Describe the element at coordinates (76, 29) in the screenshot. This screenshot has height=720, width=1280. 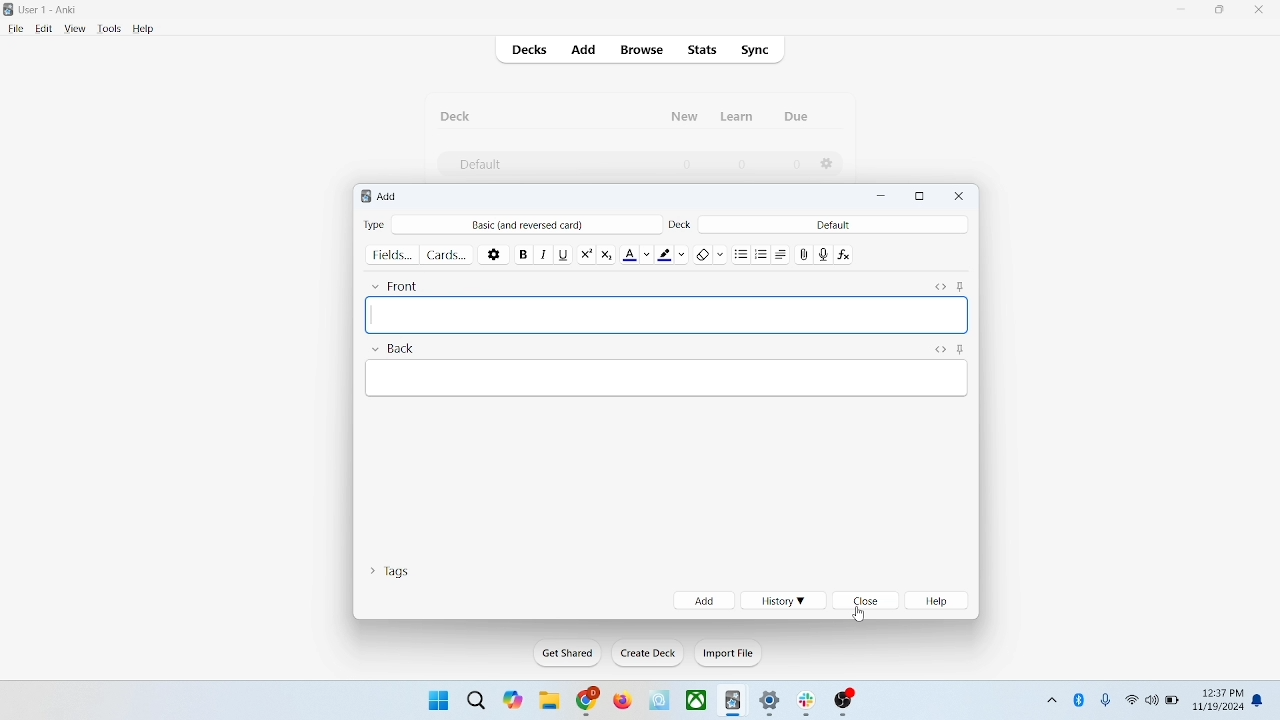
I see `view` at that location.